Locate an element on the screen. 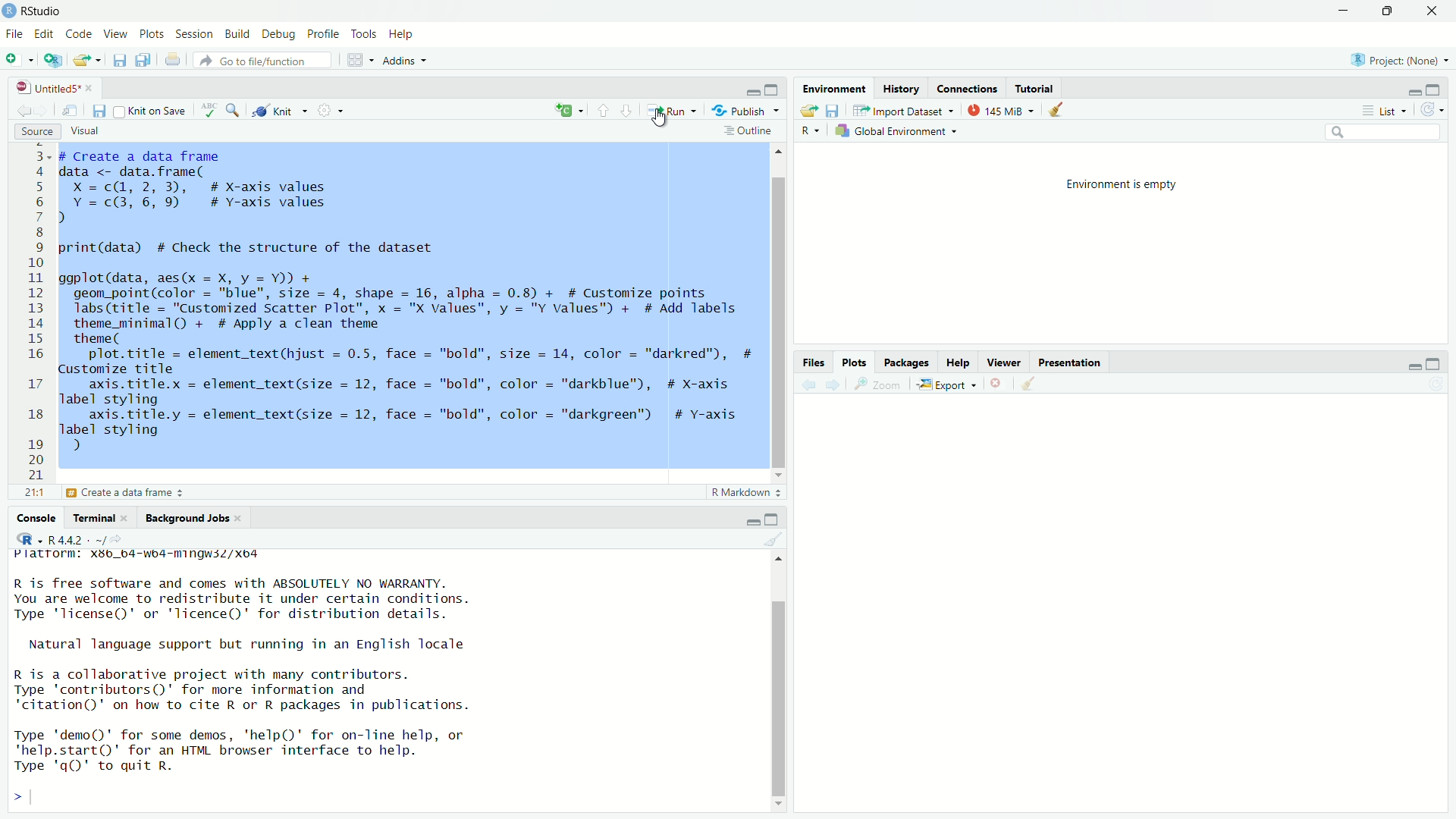 The image size is (1456, 819). Maximize is located at coordinates (772, 89).